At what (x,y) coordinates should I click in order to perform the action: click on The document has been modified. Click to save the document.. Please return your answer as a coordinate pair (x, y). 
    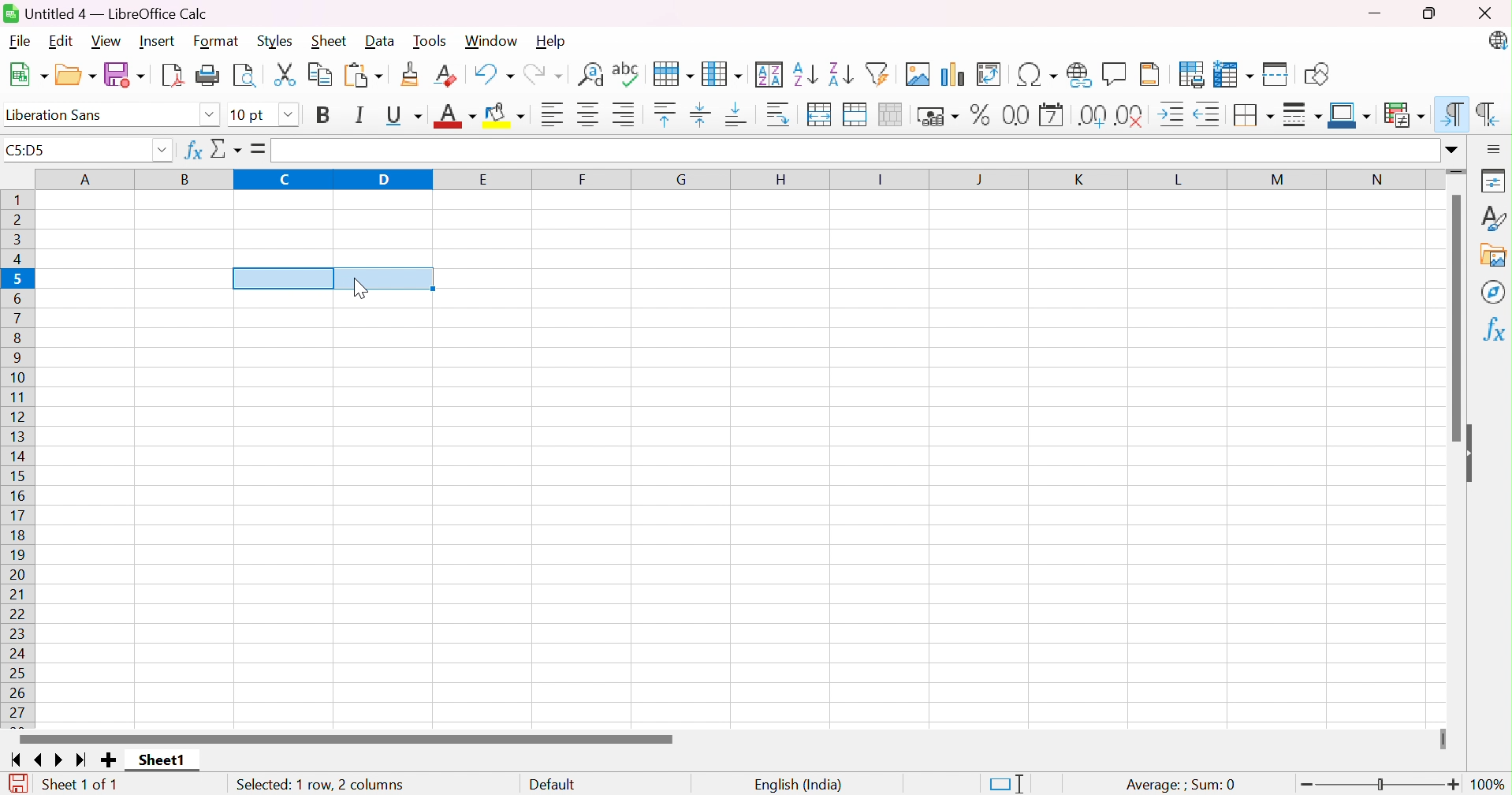
    Looking at the image, I should click on (17, 782).